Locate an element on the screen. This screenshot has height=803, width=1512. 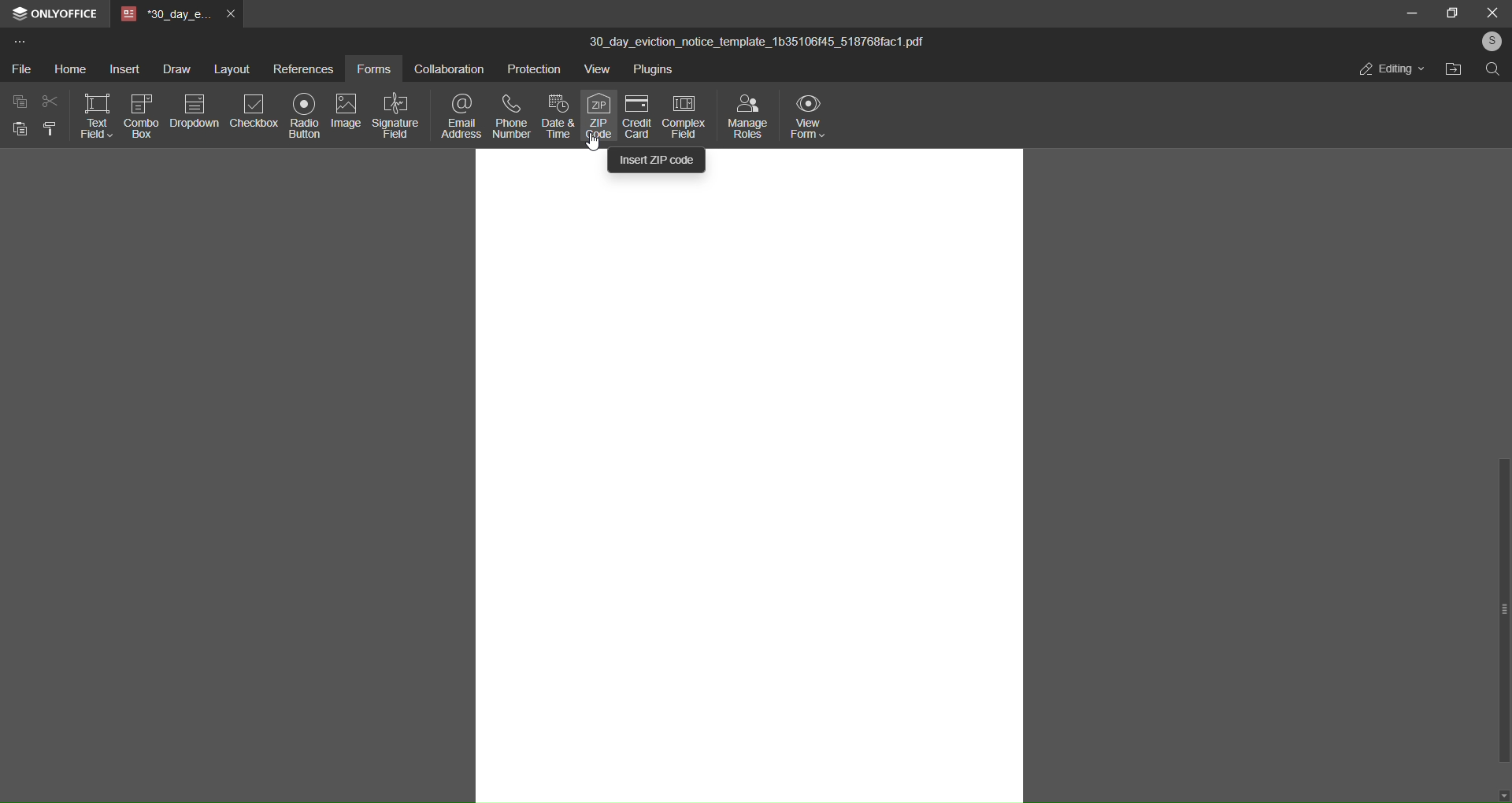
user is located at coordinates (1490, 41).